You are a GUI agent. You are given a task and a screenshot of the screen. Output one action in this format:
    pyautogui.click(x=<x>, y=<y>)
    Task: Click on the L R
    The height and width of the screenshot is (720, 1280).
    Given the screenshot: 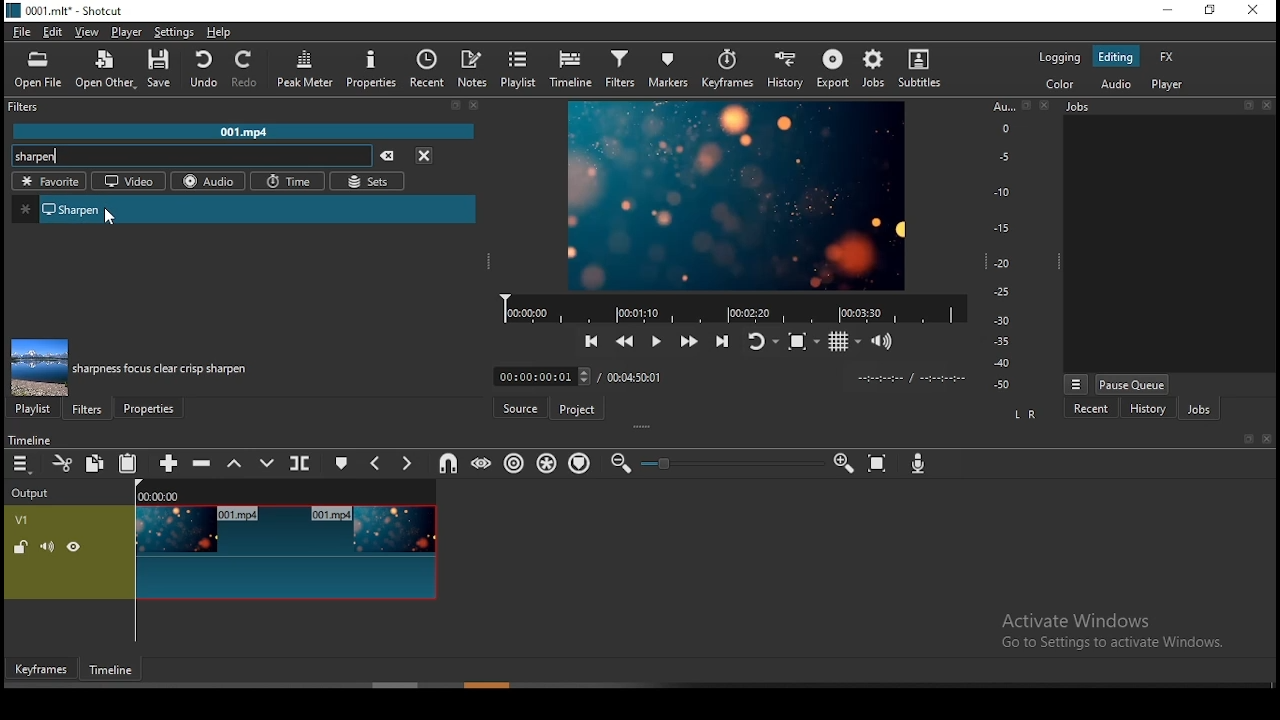 What is the action you would take?
    pyautogui.click(x=1026, y=413)
    